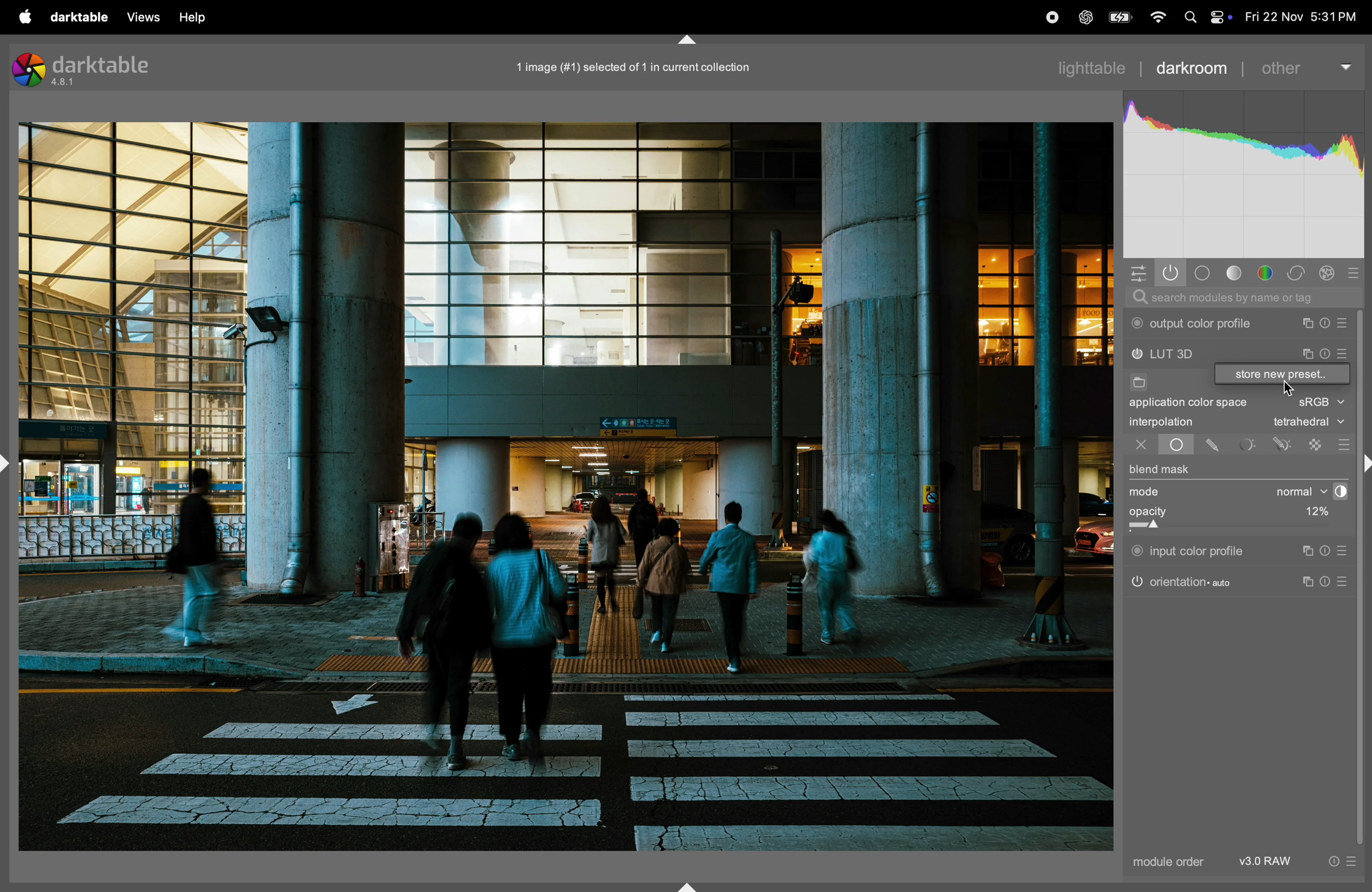 This screenshot has width=1372, height=892. I want to click on presets, so click(1359, 271).